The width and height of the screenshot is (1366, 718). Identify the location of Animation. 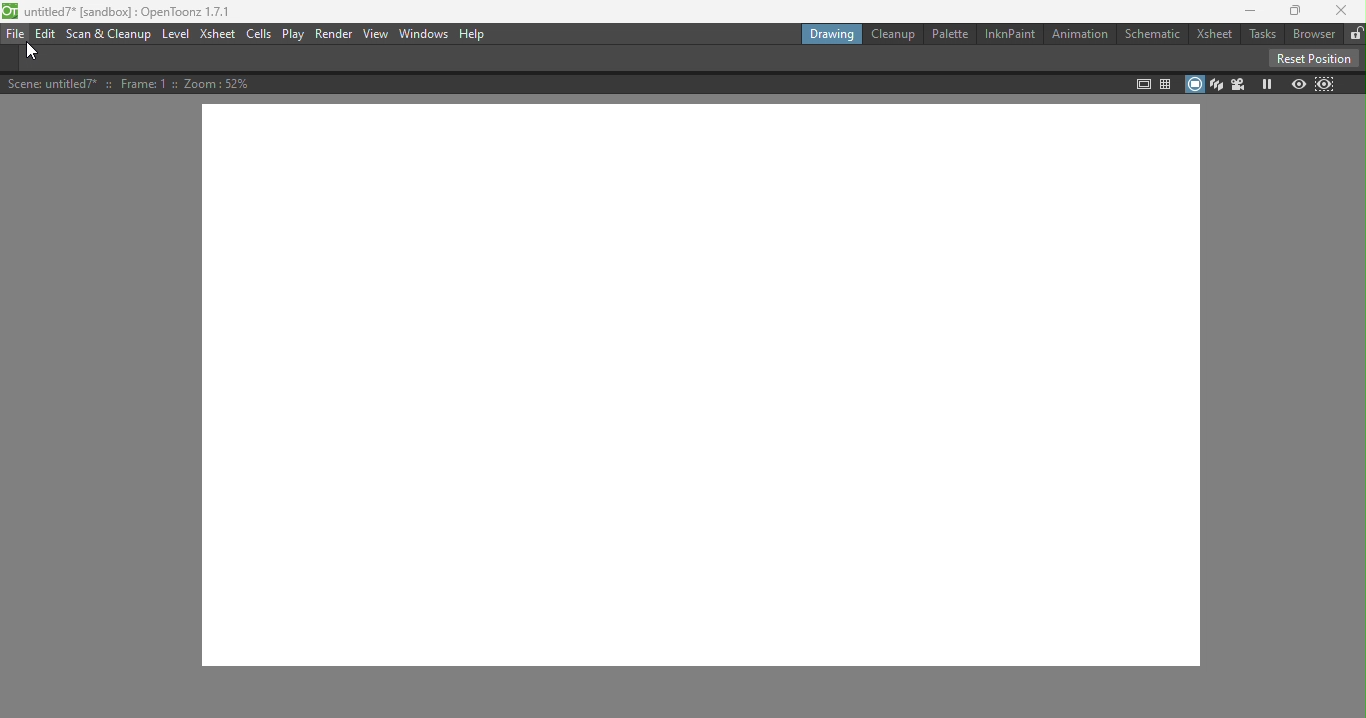
(1079, 33).